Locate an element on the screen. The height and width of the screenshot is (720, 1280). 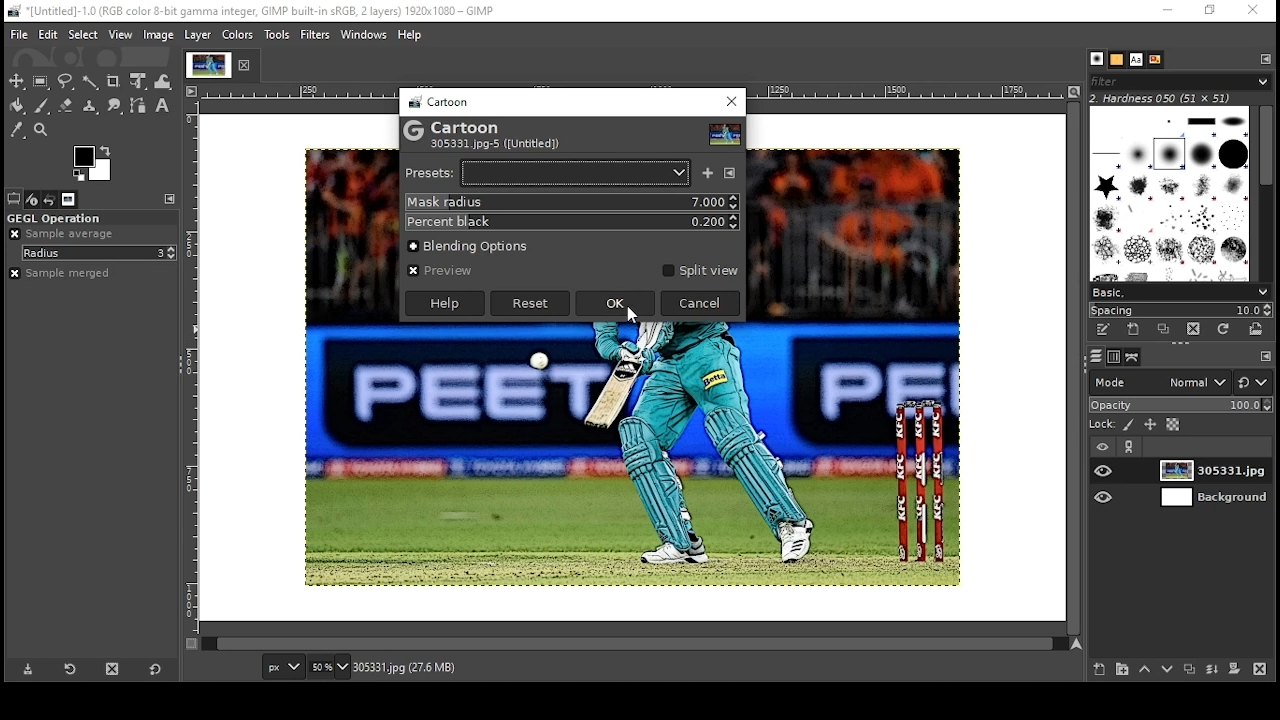
rectangular selection tool is located at coordinates (41, 82).